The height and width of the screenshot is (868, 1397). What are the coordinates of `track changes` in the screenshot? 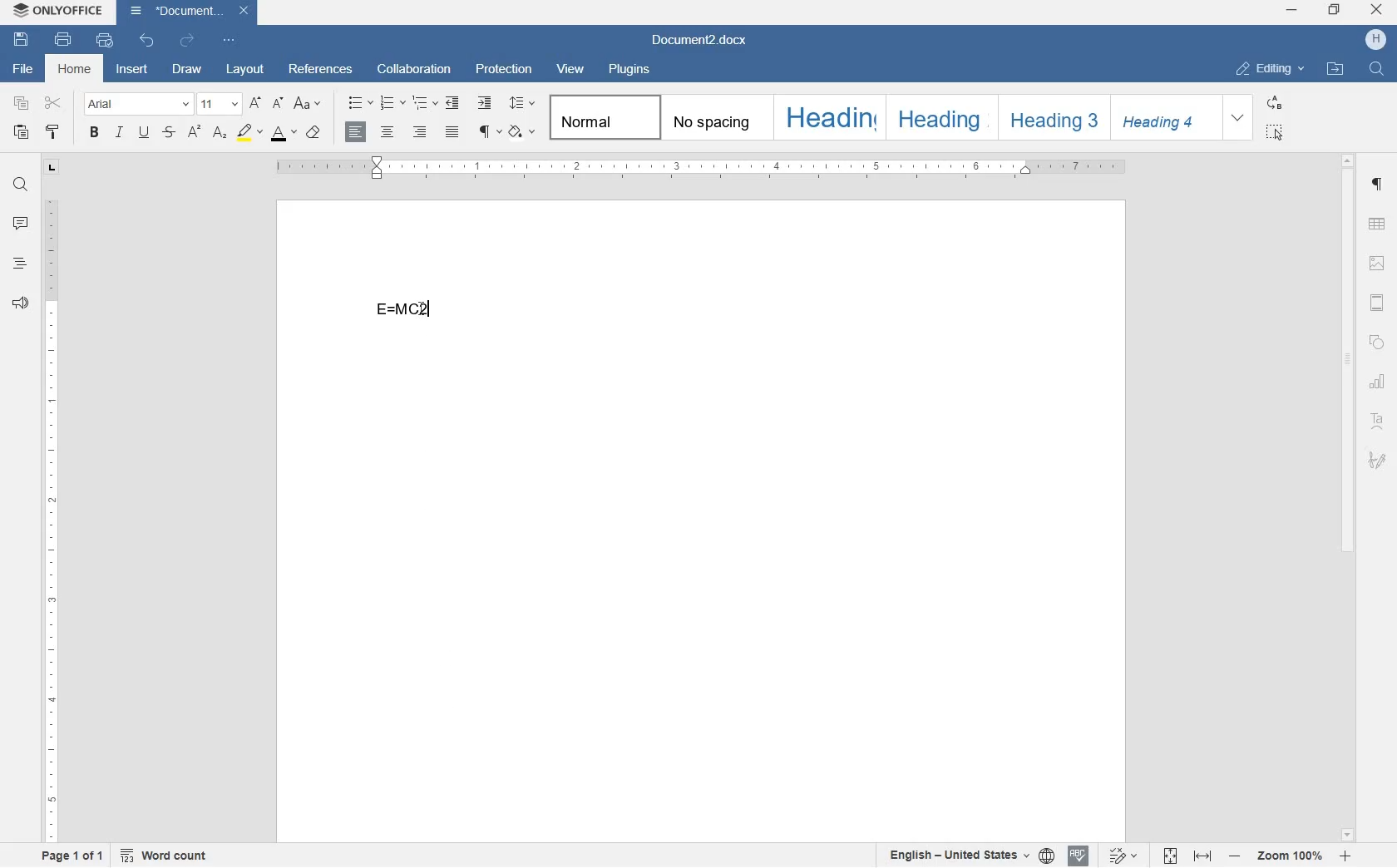 It's located at (1124, 856).